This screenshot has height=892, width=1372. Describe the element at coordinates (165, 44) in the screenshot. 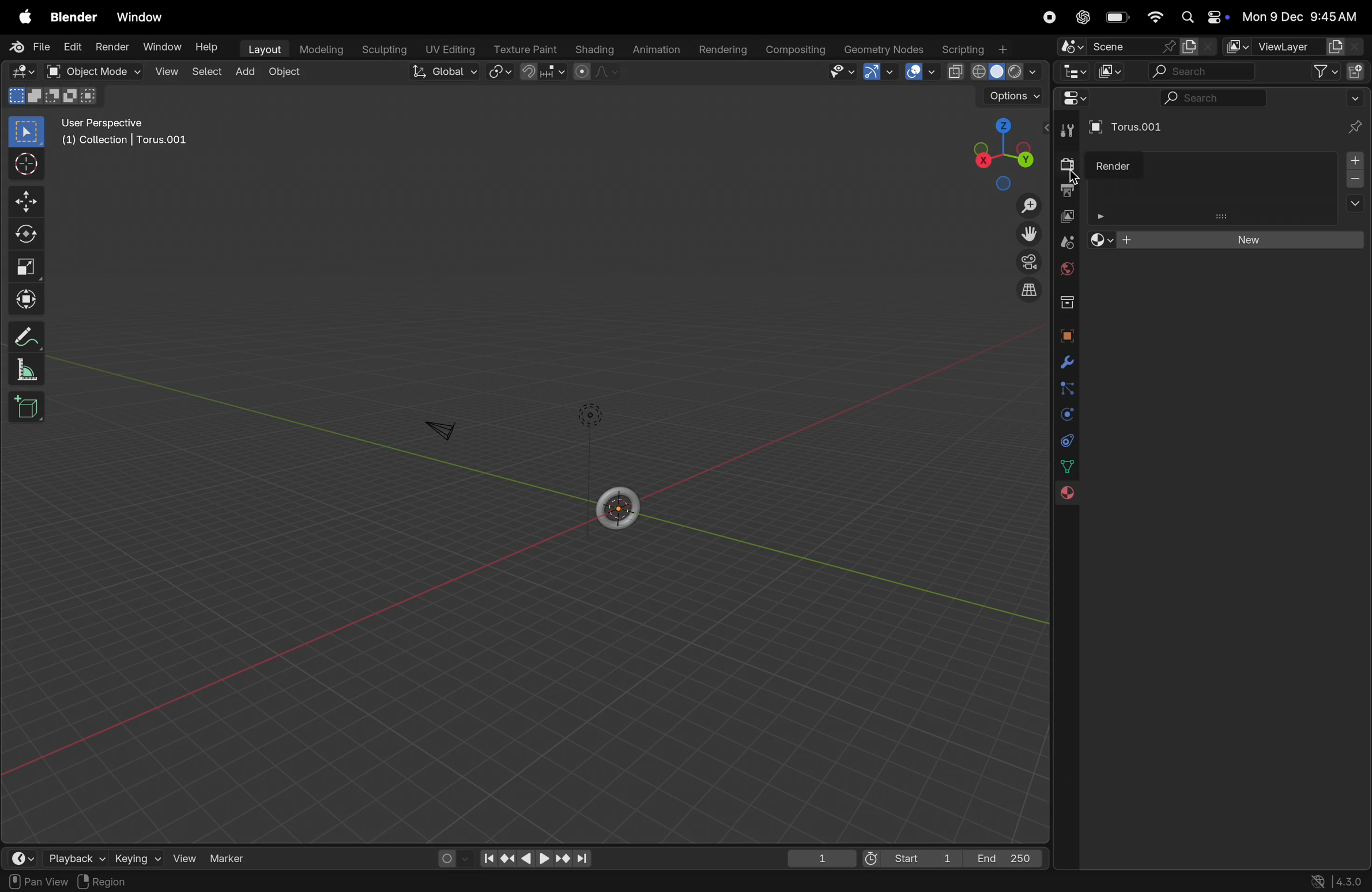

I see `Window` at that location.